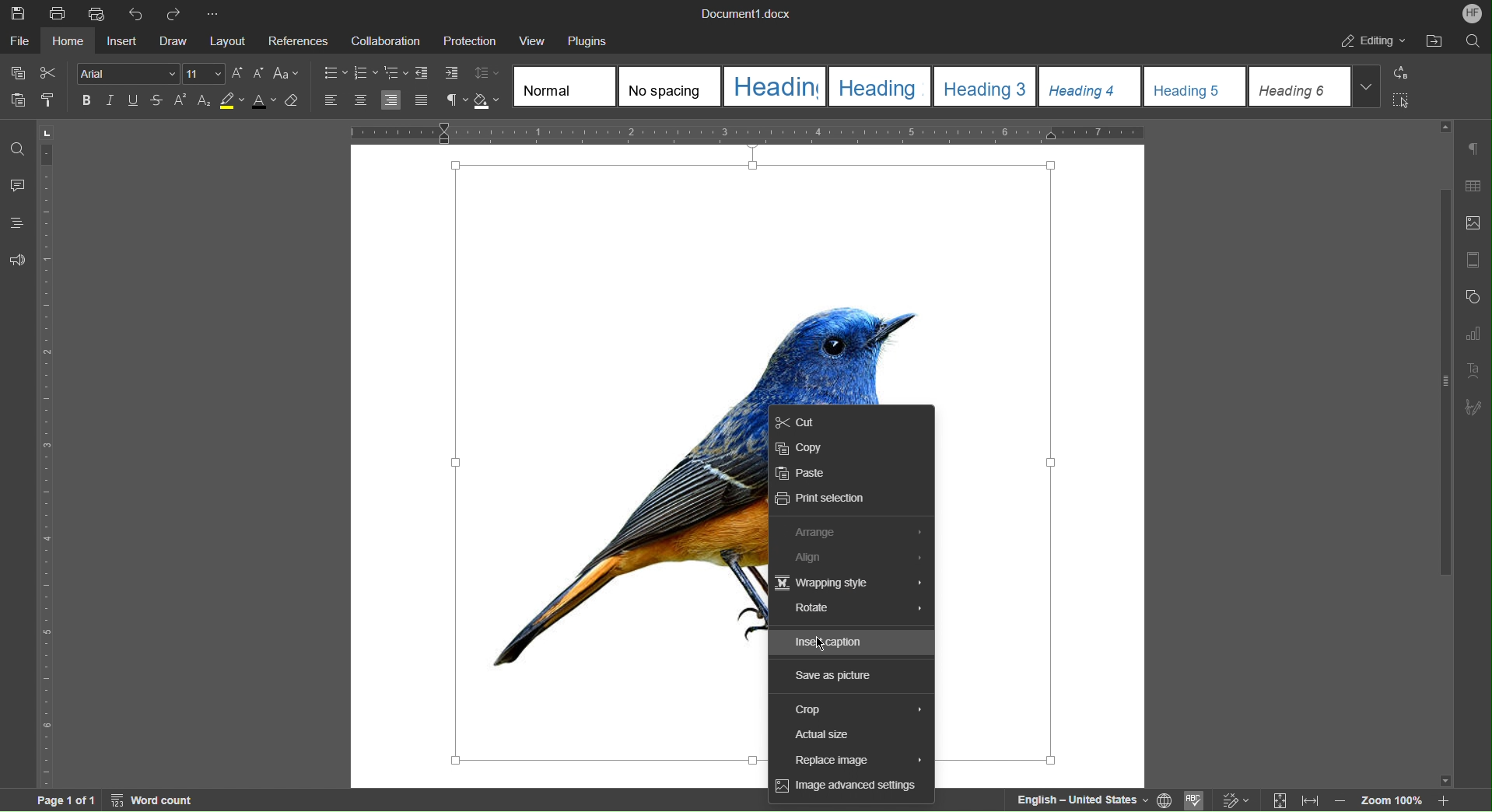 This screenshot has width=1492, height=812. What do you see at coordinates (360, 101) in the screenshot?
I see `Align Center` at bounding box center [360, 101].